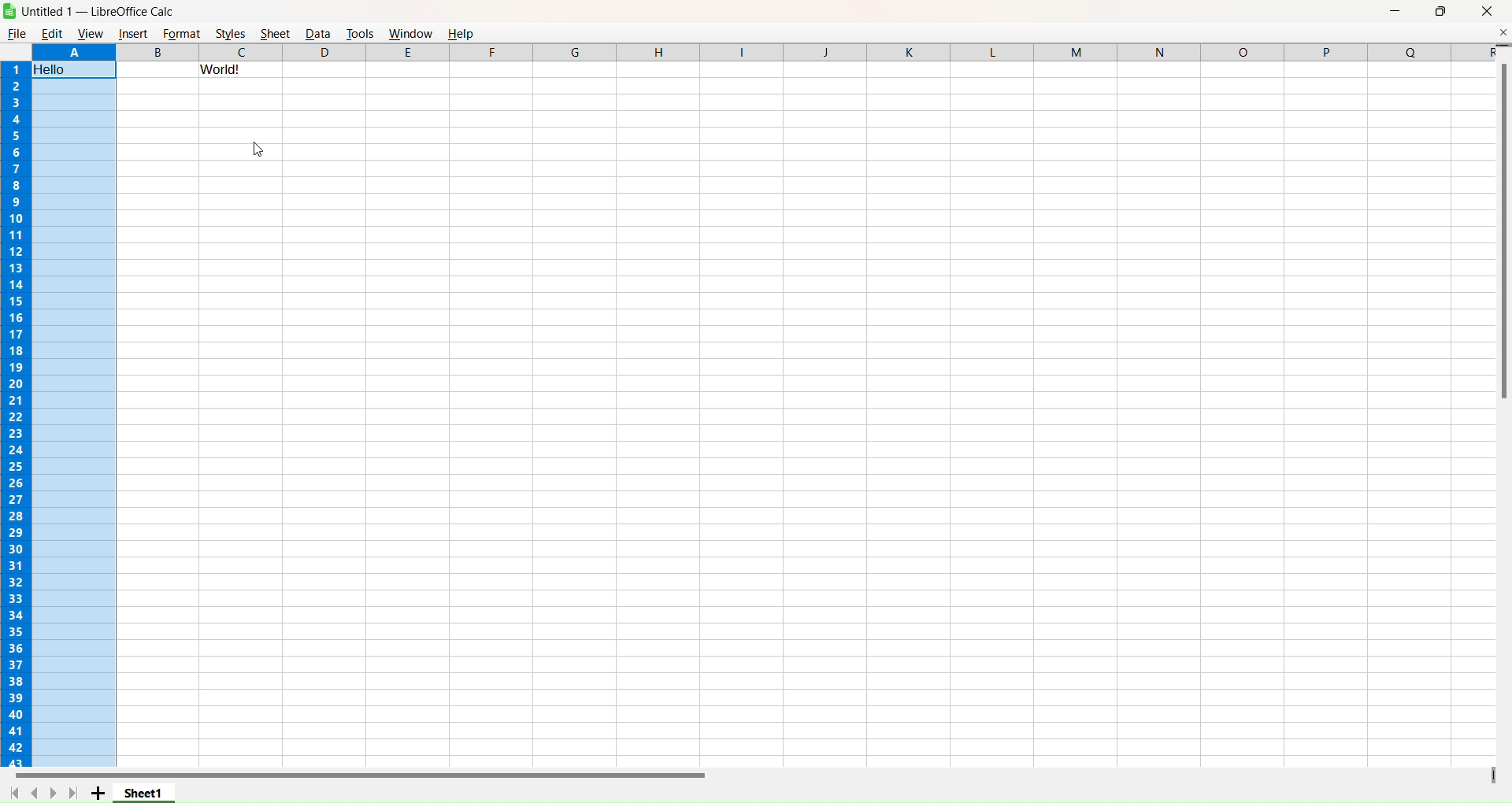 The width and height of the screenshot is (1512, 803). I want to click on Edit, so click(52, 33).